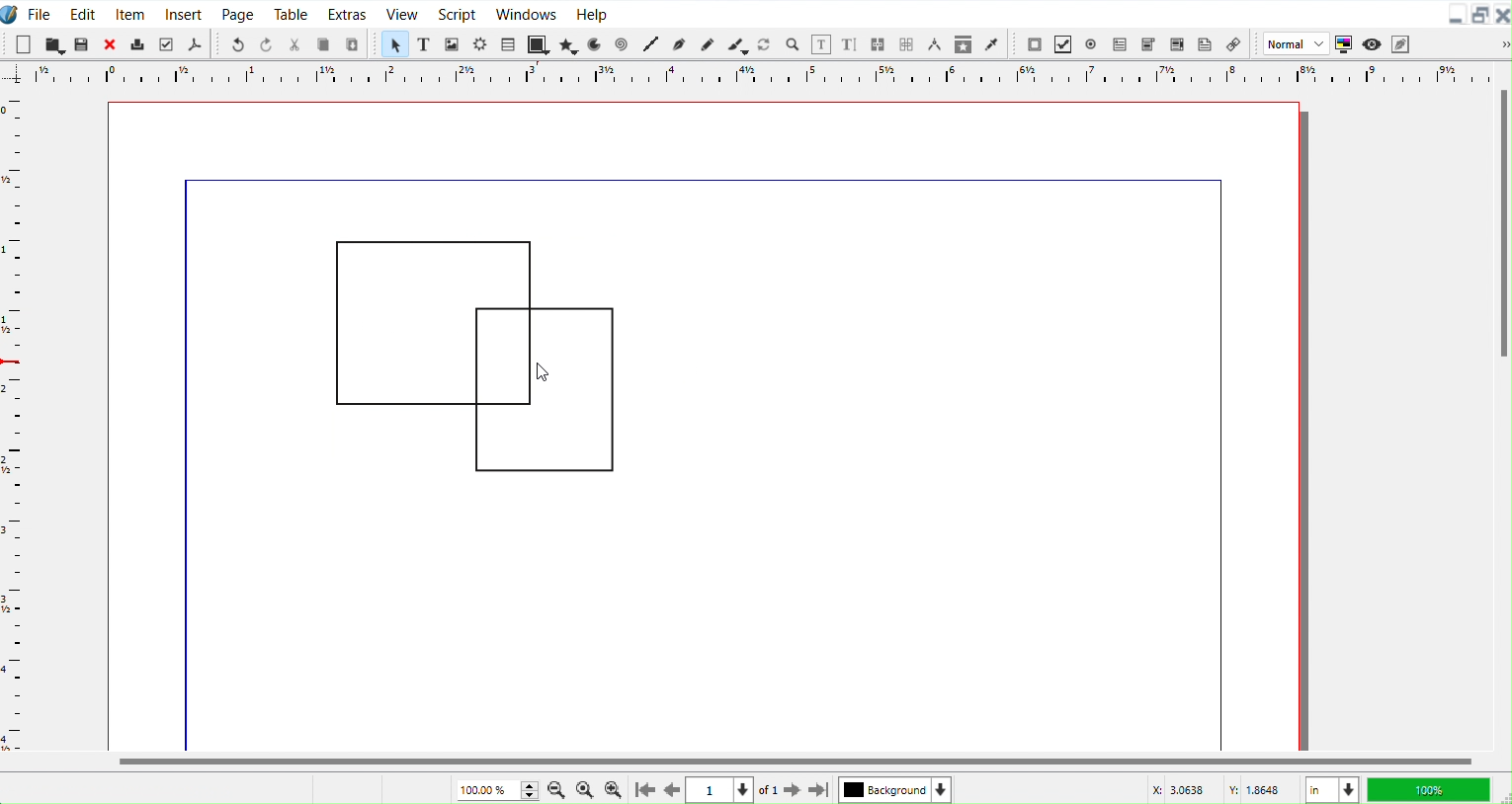 This screenshot has height=804, width=1512. Describe the element at coordinates (1220, 471) in the screenshot. I see `line` at that location.